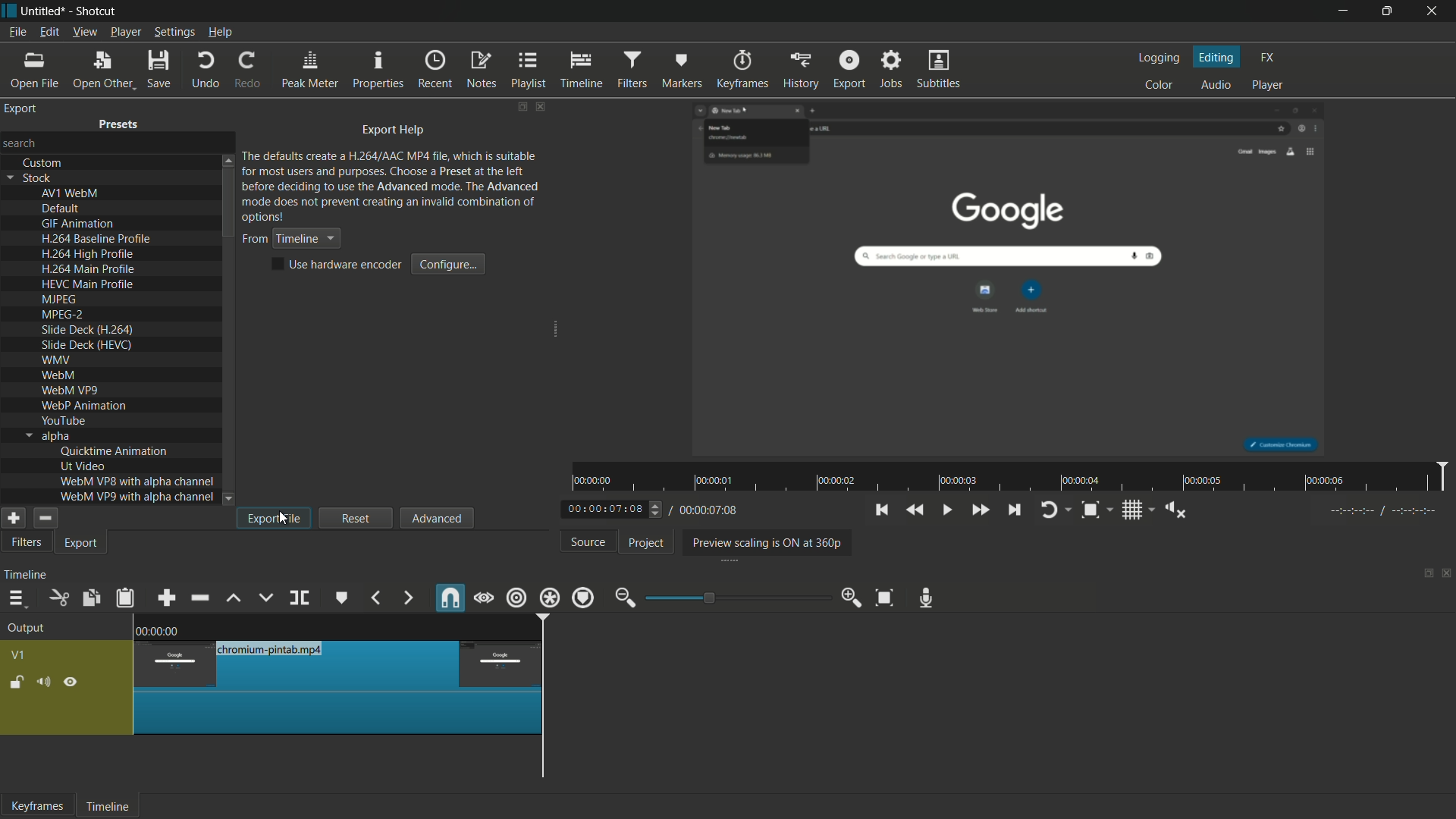 This screenshot has height=819, width=1456. Describe the element at coordinates (1157, 59) in the screenshot. I see `logging` at that location.